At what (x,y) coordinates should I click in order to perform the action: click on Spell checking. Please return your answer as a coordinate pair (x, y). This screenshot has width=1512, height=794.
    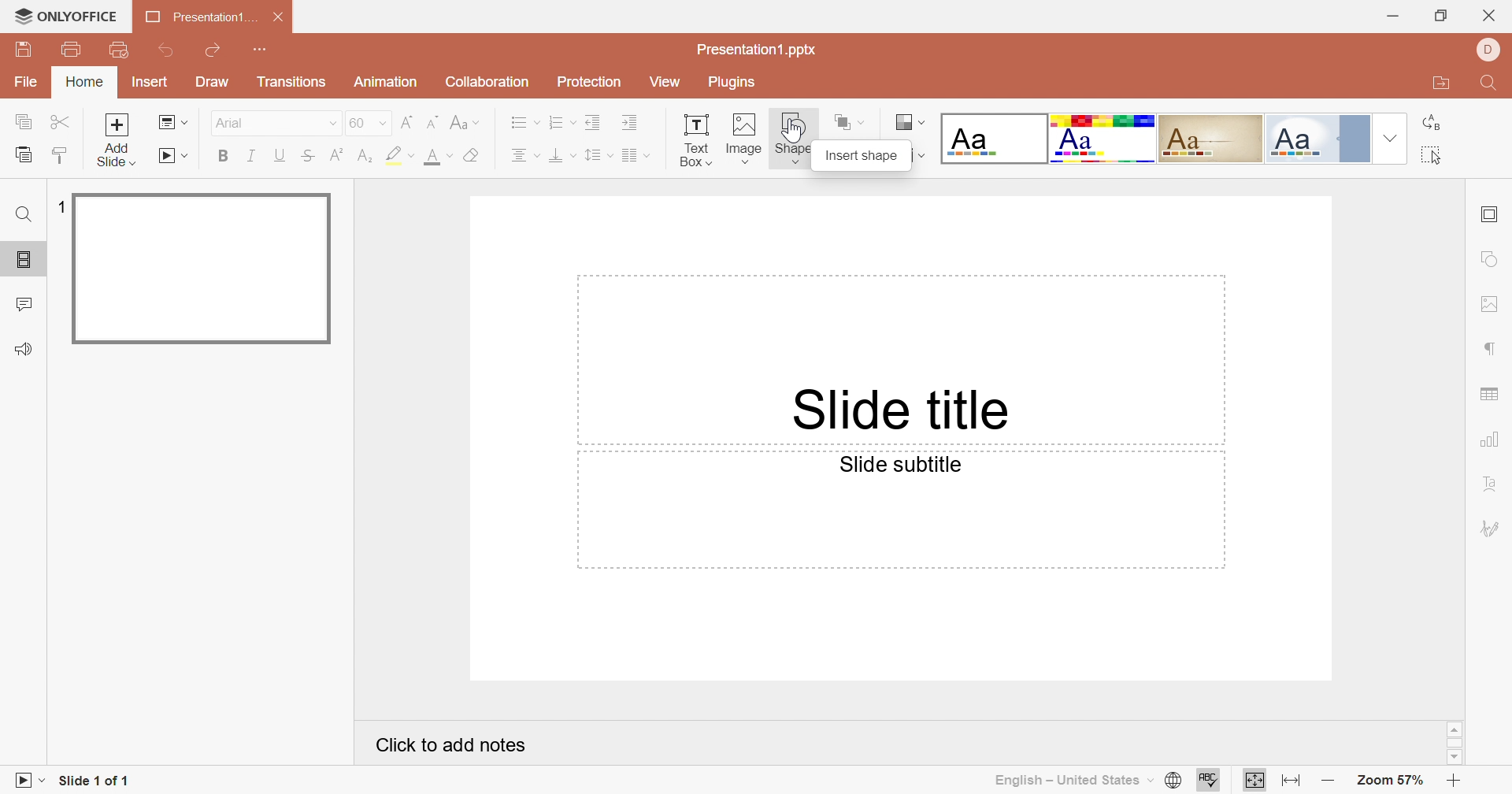
    Looking at the image, I should click on (1206, 780).